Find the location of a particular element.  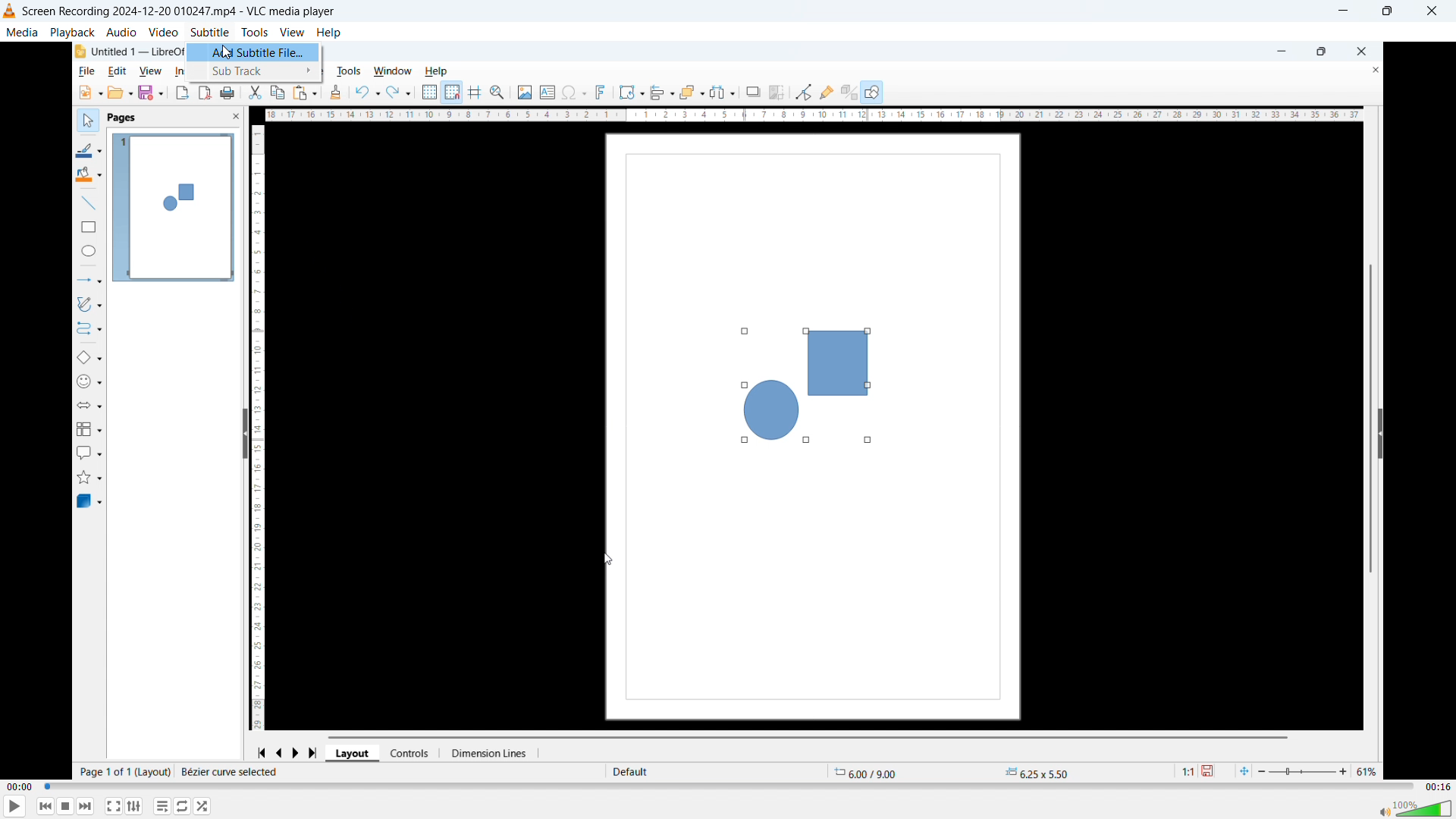

text box is located at coordinates (547, 90).